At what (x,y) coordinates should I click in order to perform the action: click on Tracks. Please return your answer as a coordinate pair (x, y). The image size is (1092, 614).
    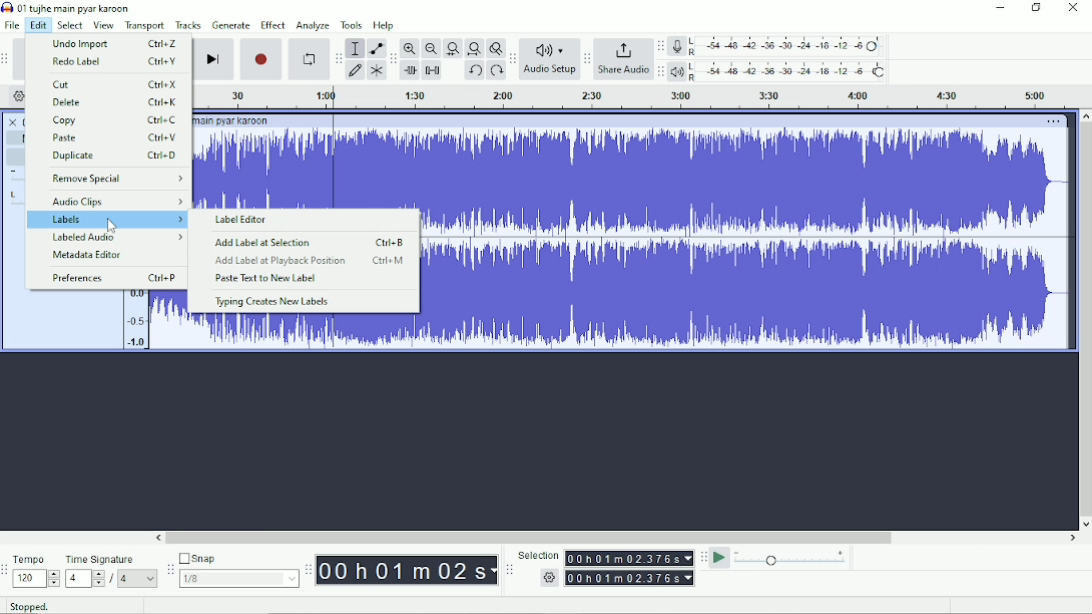
    Looking at the image, I should click on (189, 25).